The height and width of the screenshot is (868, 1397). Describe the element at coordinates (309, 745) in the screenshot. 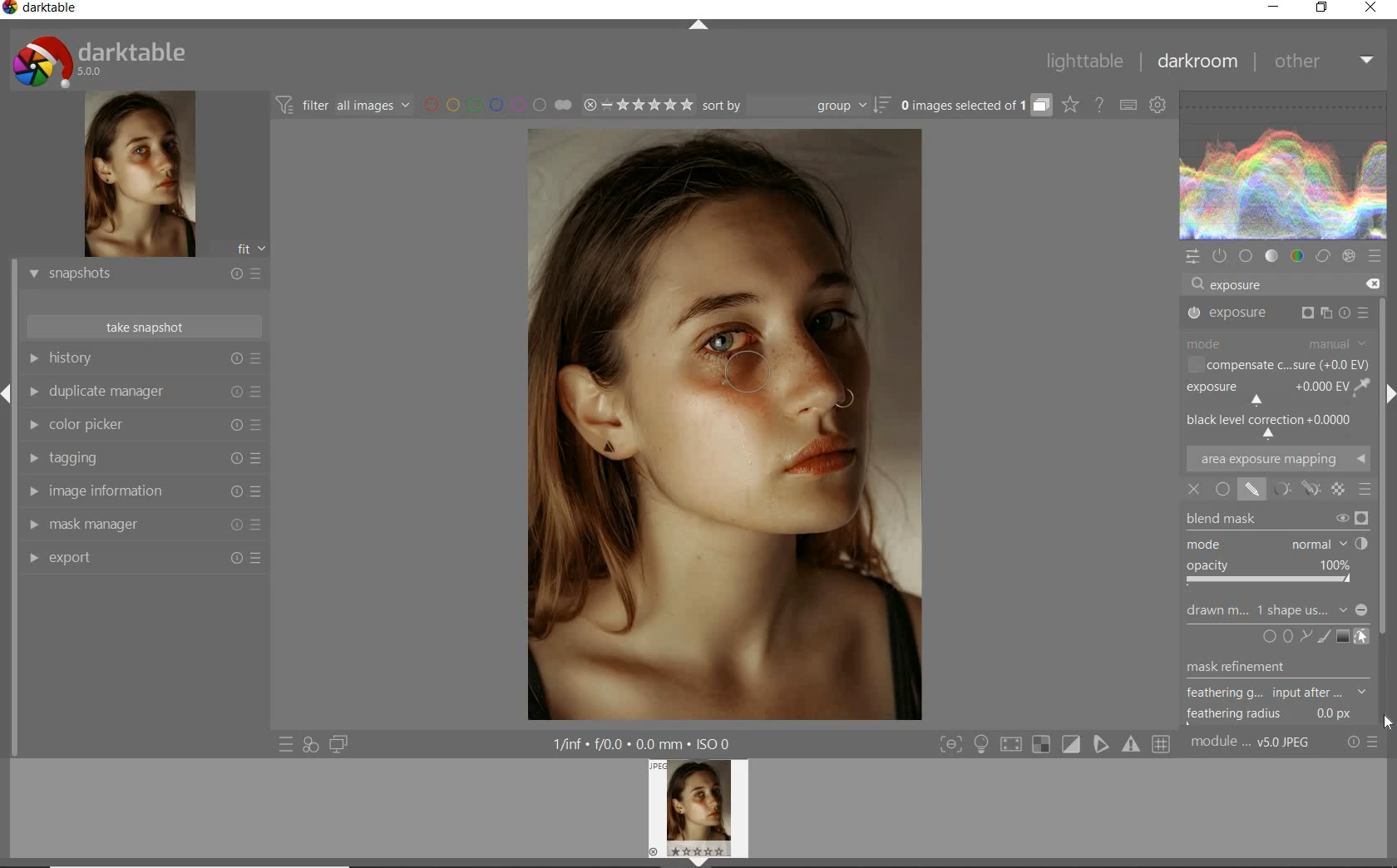

I see `quick access for applying any of your styles` at that location.